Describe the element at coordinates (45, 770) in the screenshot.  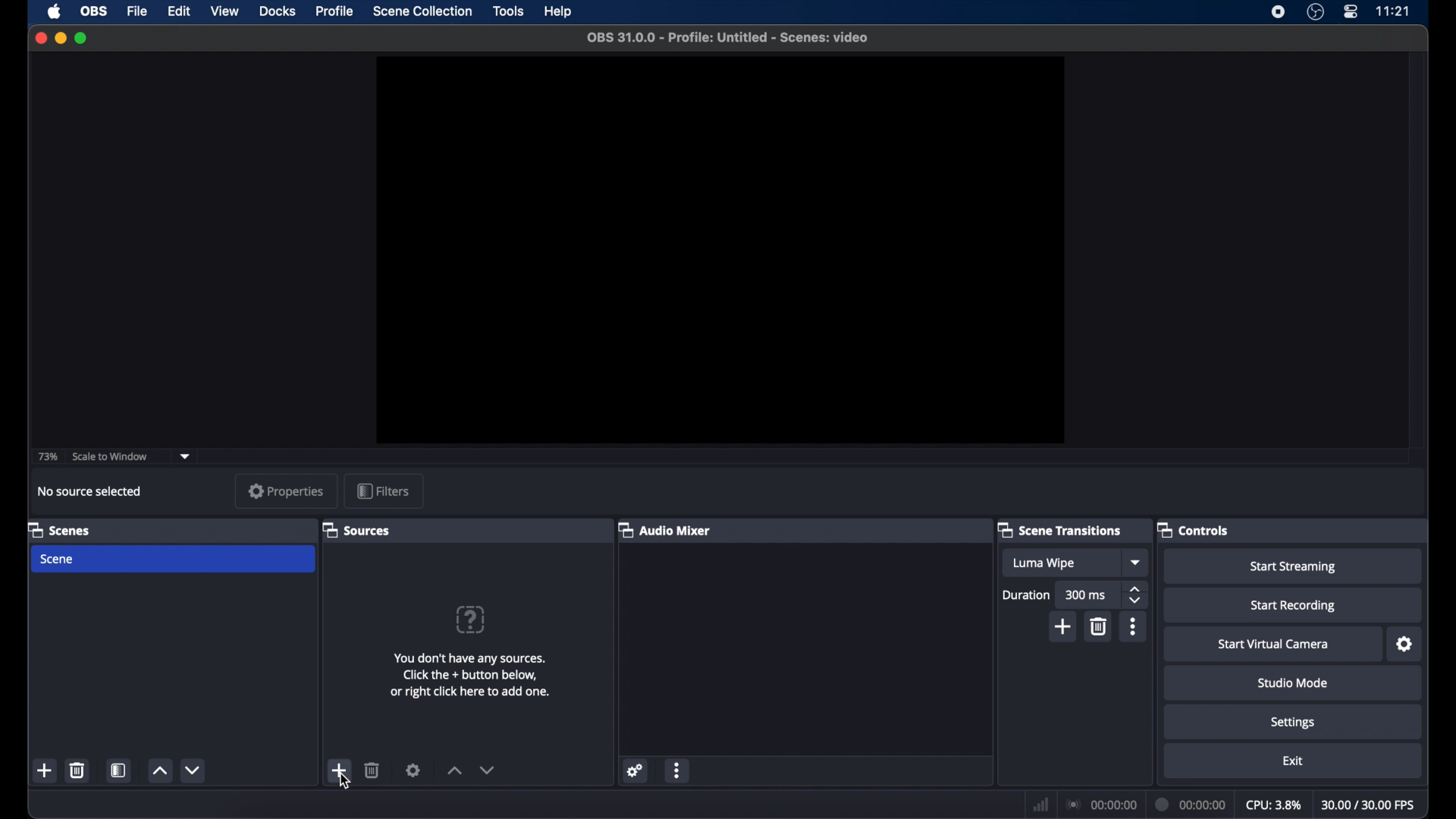
I see `add` at that location.